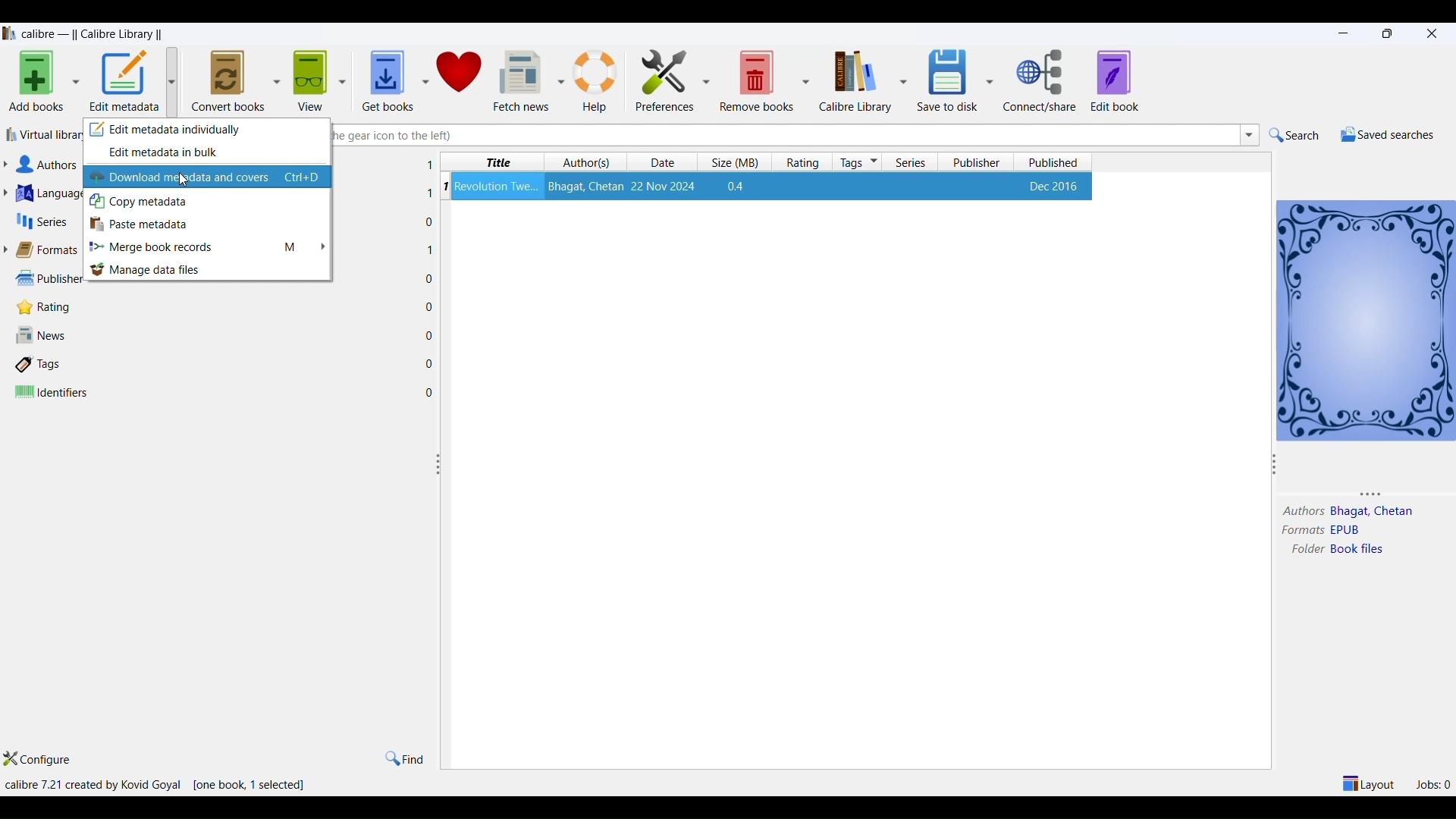 The height and width of the screenshot is (819, 1456). I want to click on get books options dropdown button, so click(422, 76).